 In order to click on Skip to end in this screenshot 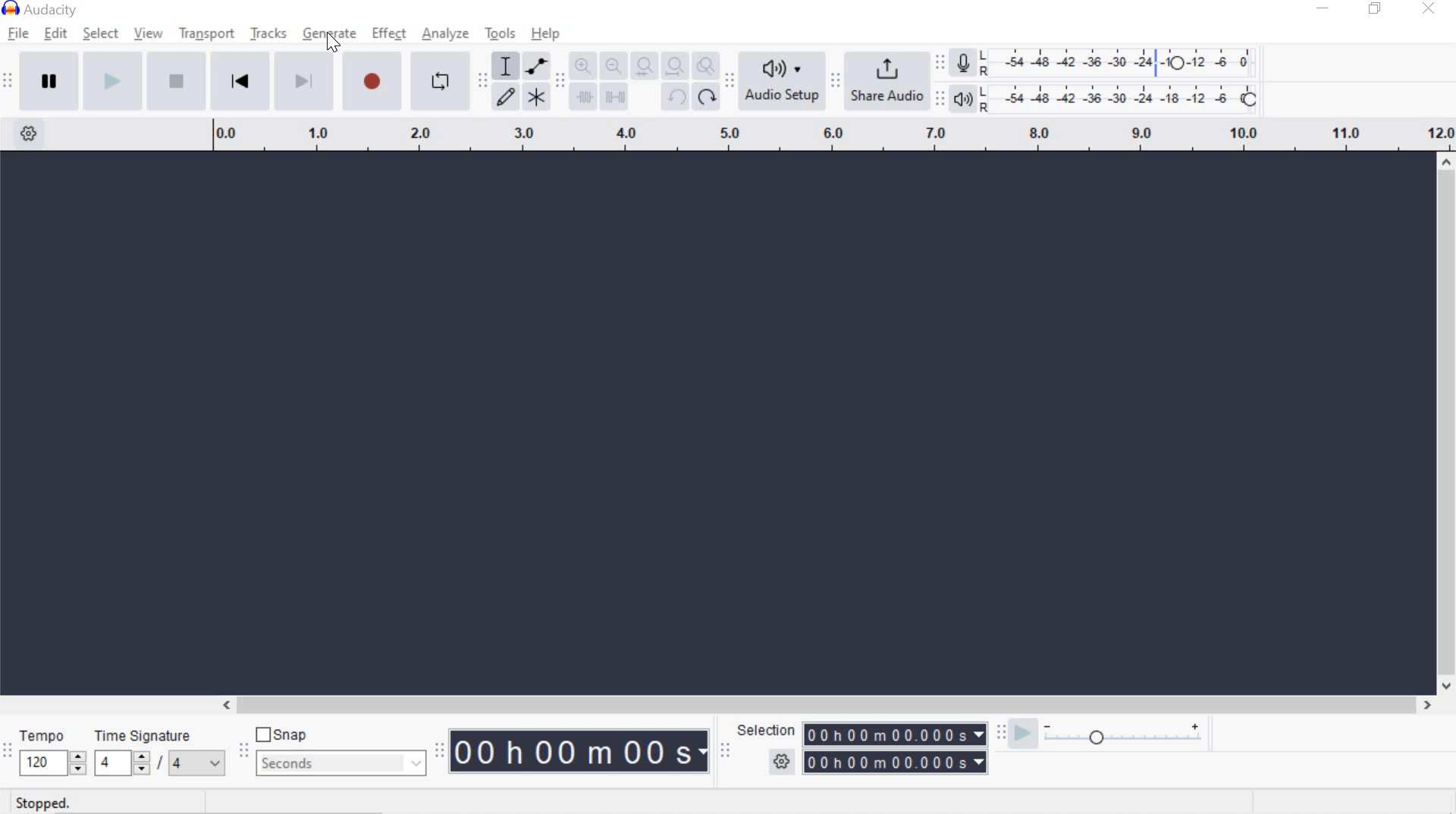, I will do `click(306, 80)`.